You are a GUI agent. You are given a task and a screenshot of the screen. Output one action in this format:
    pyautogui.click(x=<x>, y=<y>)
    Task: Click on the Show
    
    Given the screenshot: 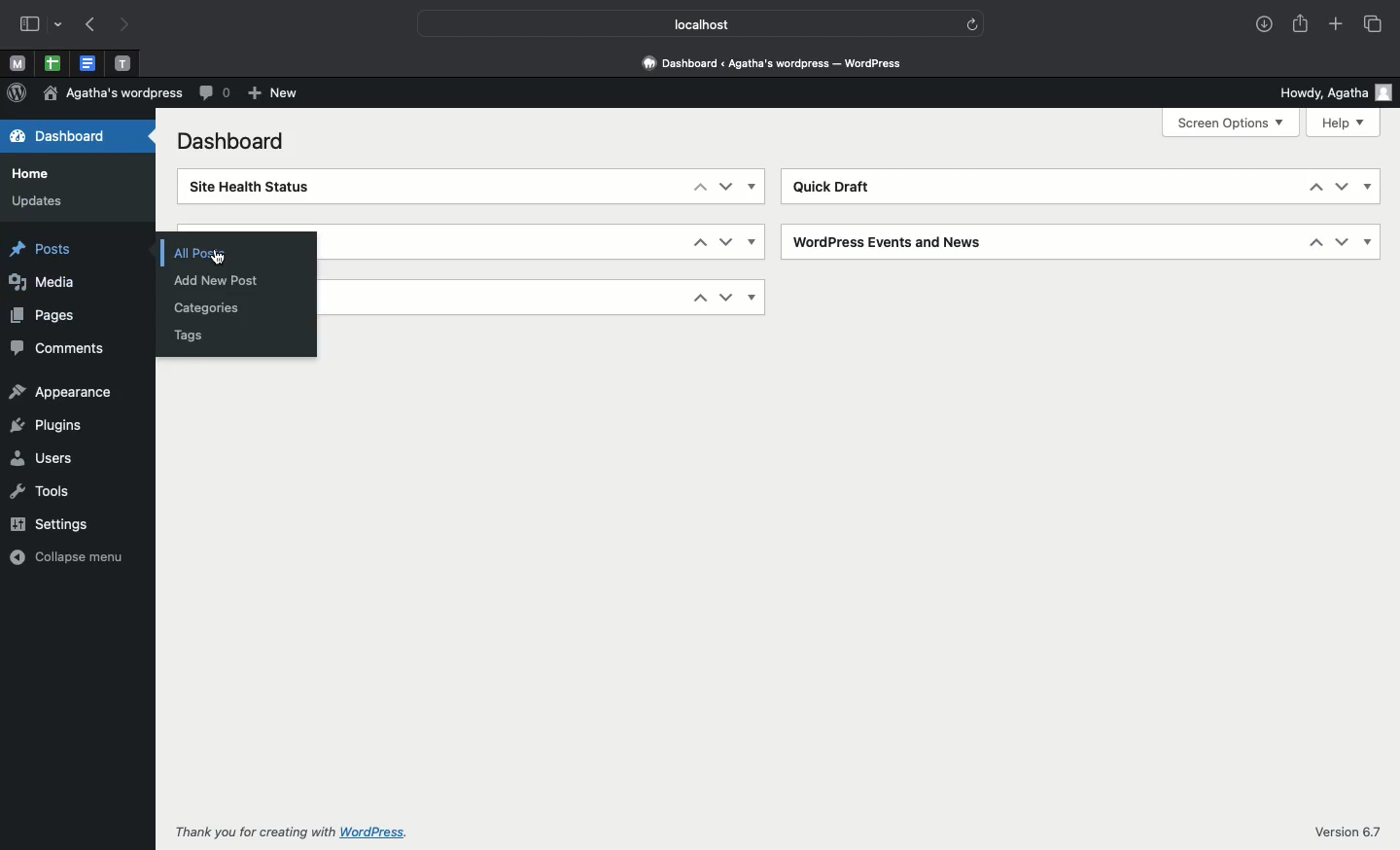 What is the action you would take?
    pyautogui.click(x=754, y=298)
    